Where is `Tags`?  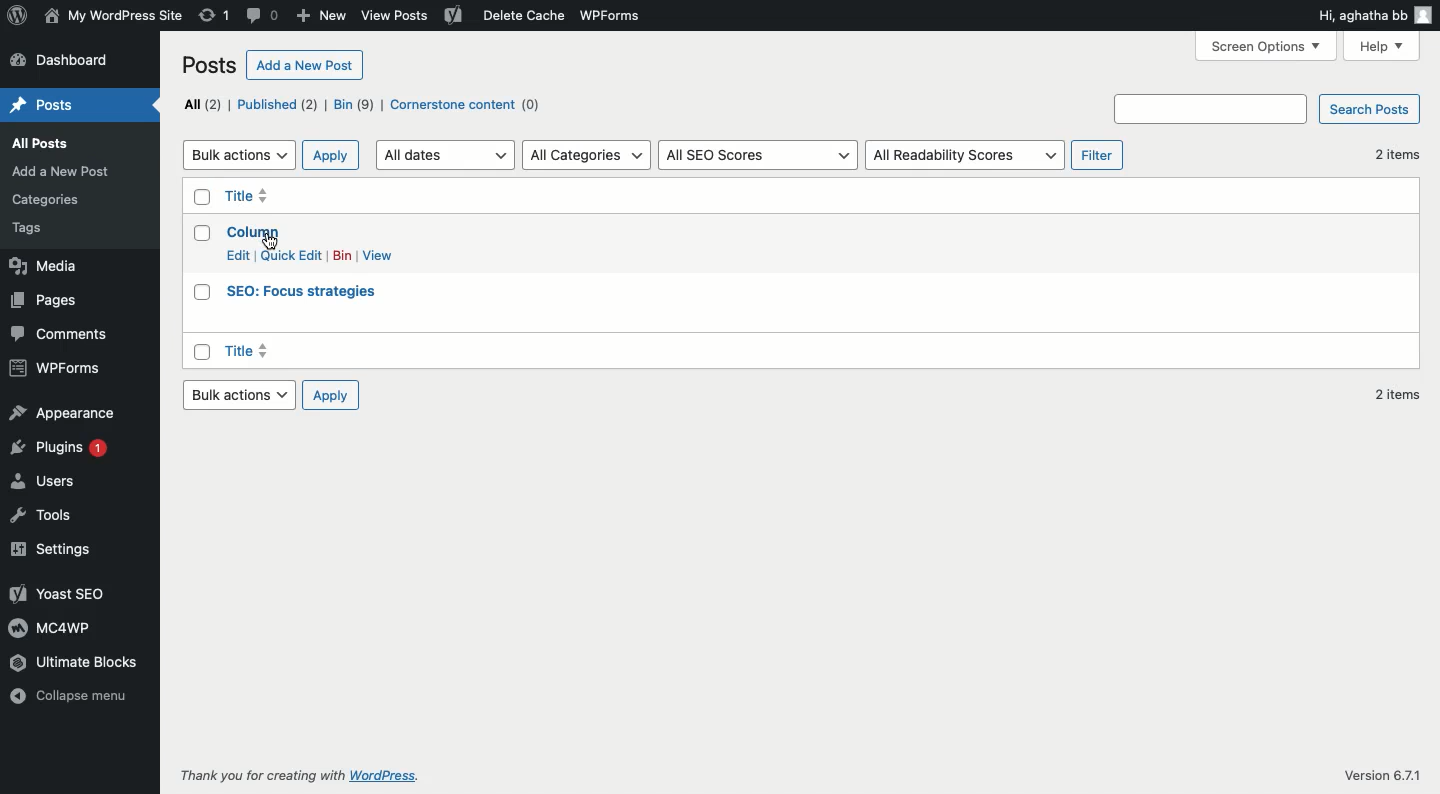 Tags is located at coordinates (33, 230).